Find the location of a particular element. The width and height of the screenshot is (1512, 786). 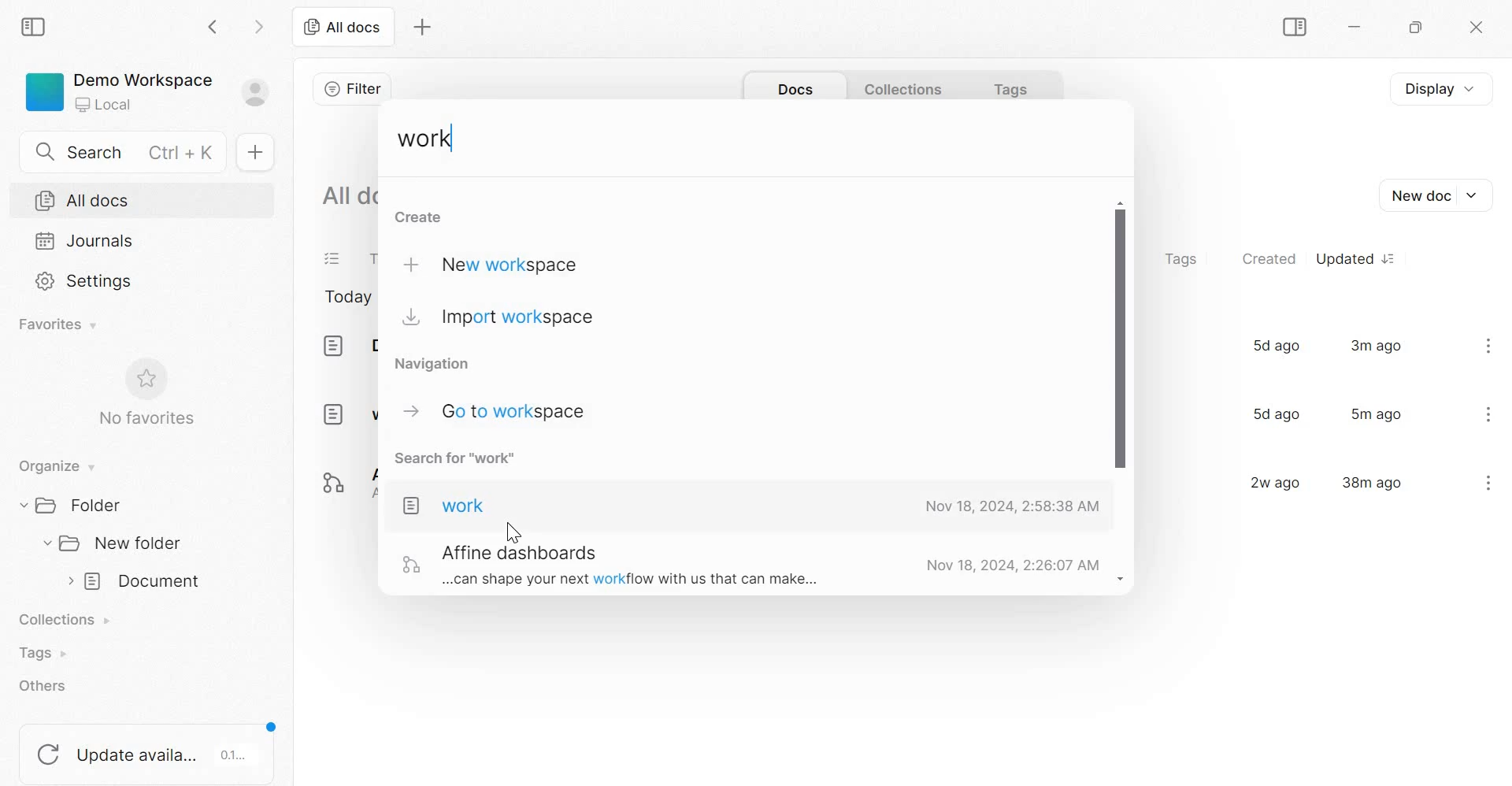

2w ago is located at coordinates (1270, 481).